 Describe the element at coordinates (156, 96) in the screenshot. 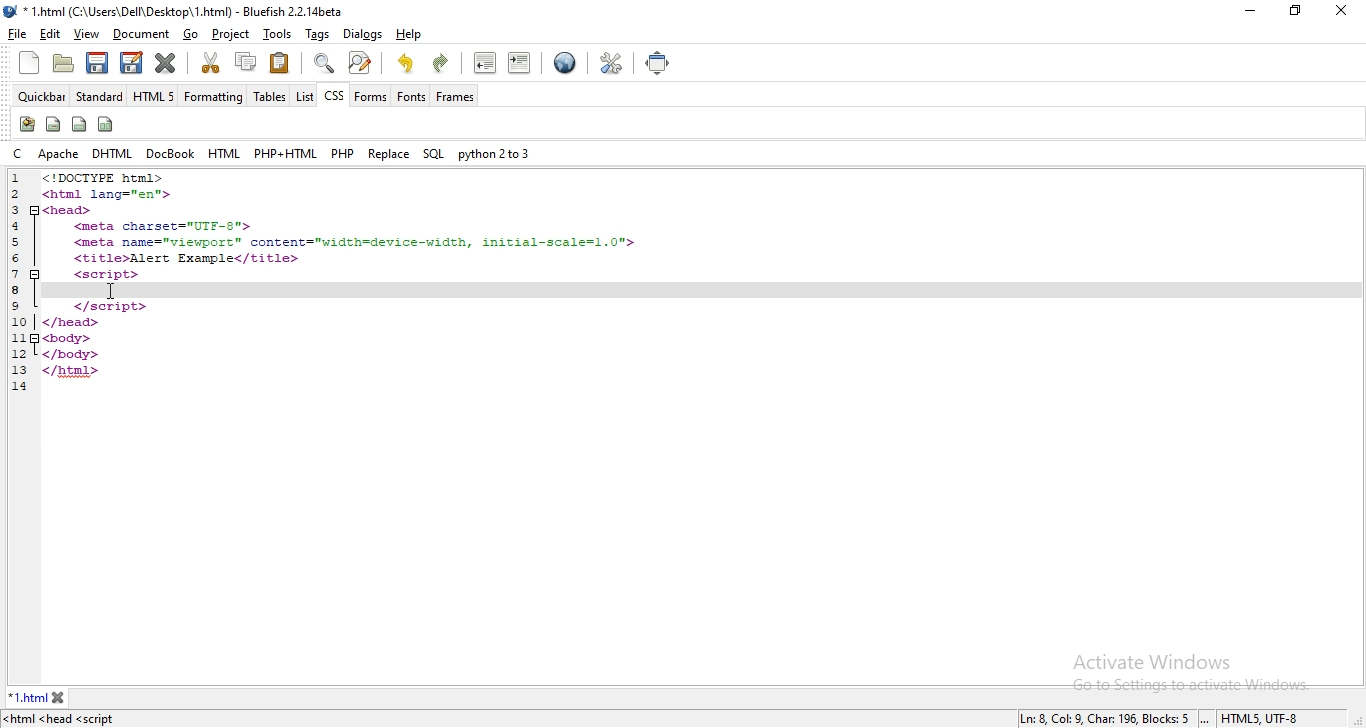

I see `html 5` at that location.